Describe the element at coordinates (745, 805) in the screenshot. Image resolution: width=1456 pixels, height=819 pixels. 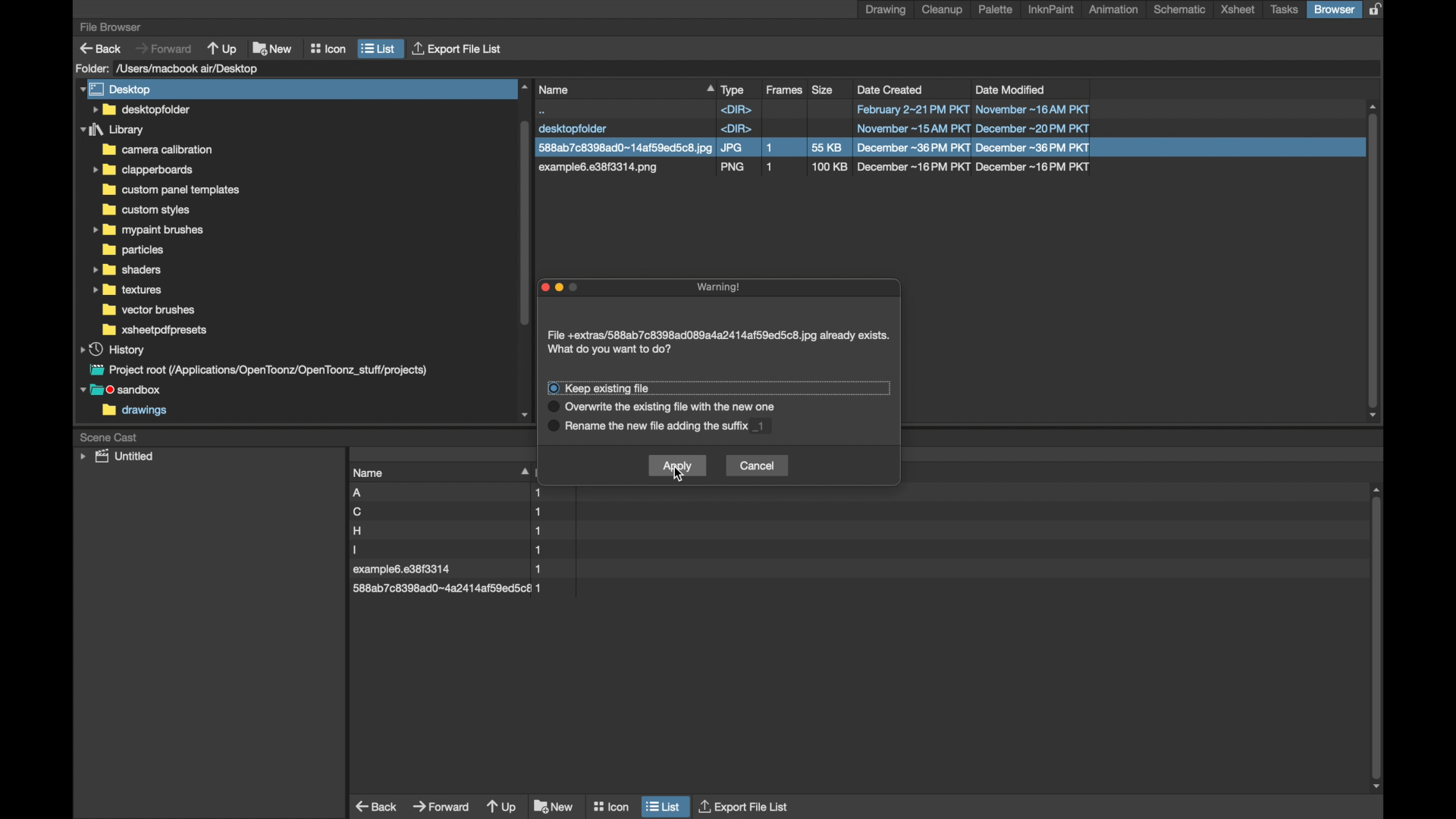
I see `export file list` at that location.